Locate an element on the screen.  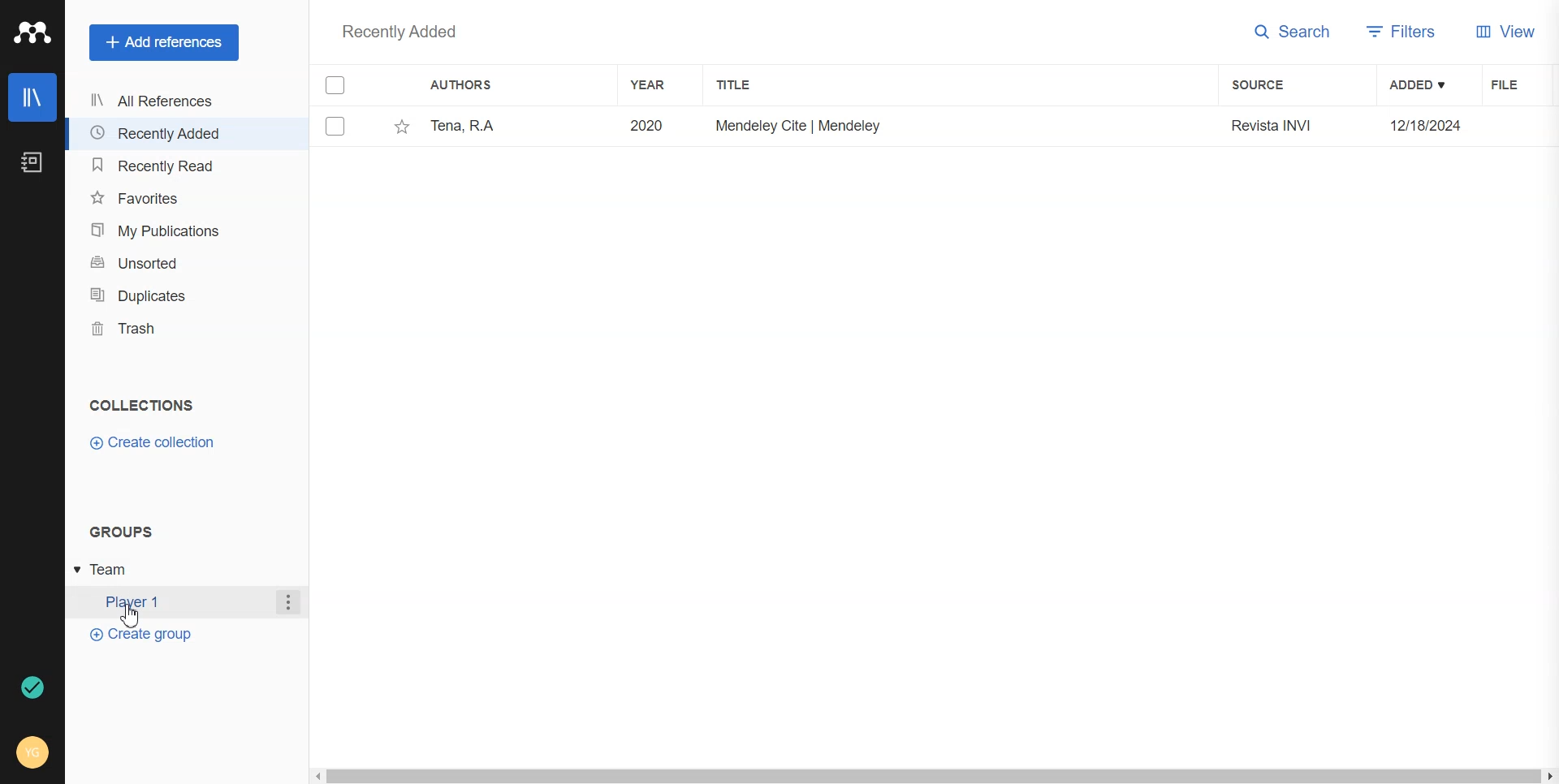
Source is located at coordinates (1257, 84).